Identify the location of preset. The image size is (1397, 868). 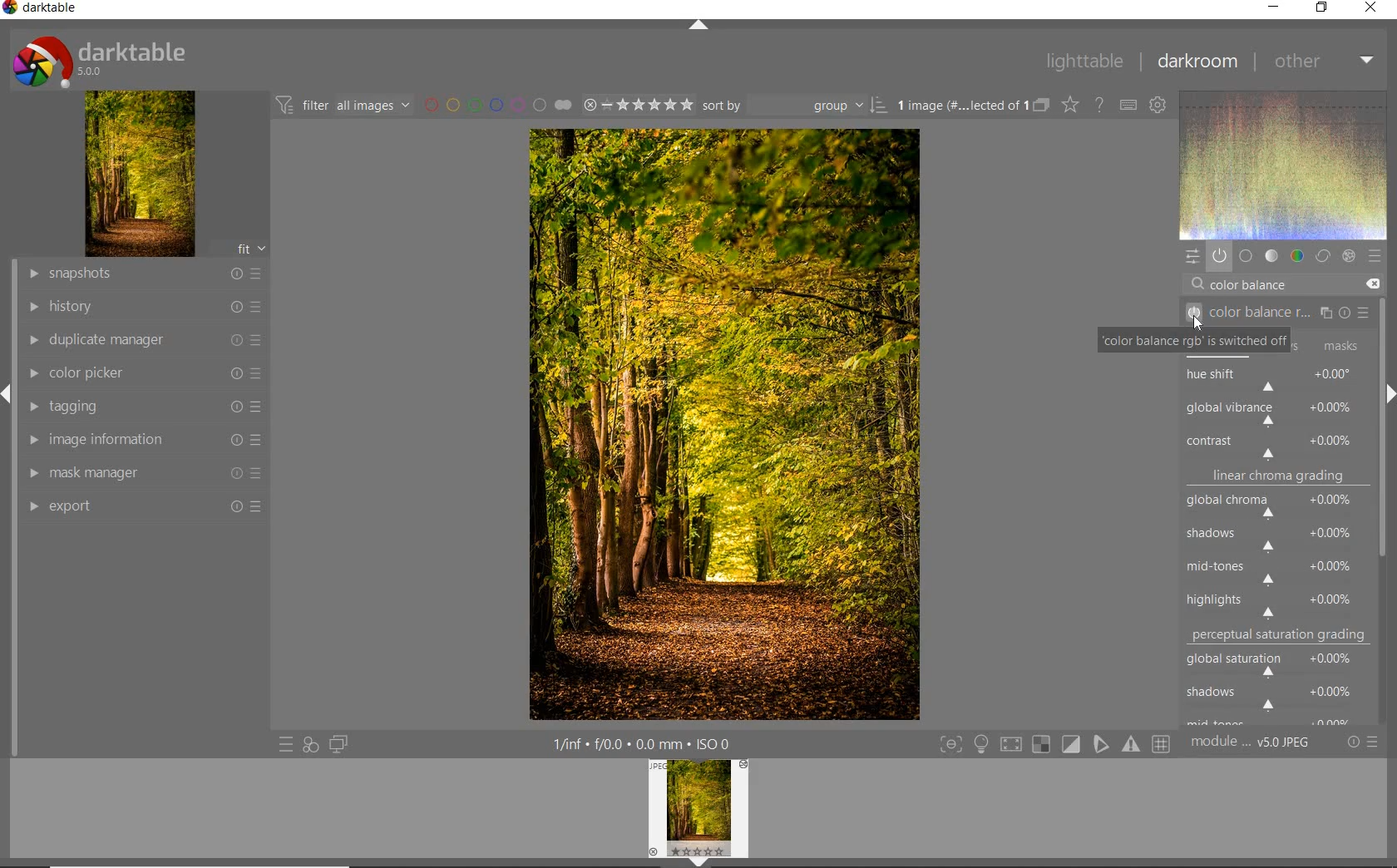
(1374, 255).